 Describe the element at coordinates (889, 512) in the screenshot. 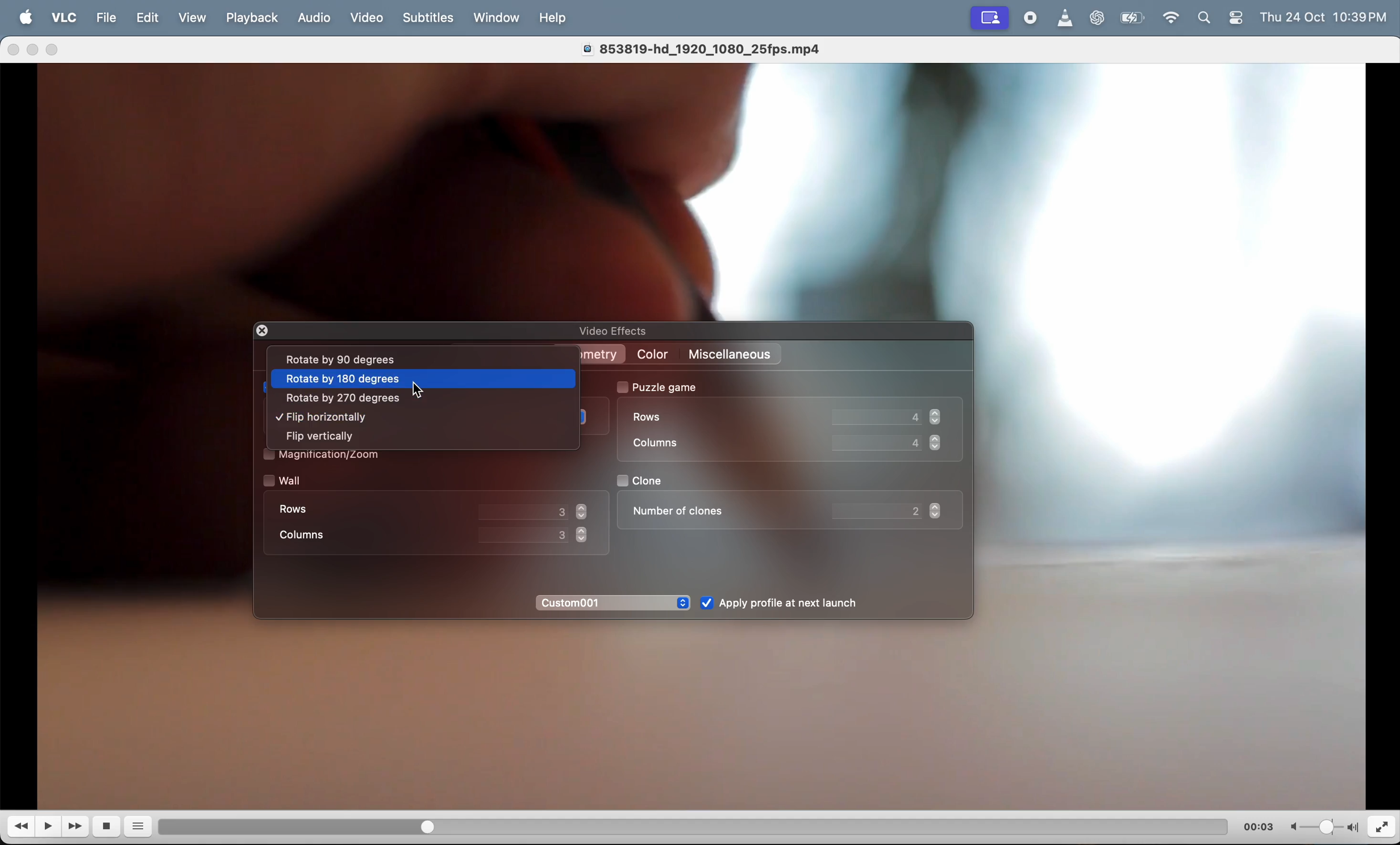

I see `value` at that location.